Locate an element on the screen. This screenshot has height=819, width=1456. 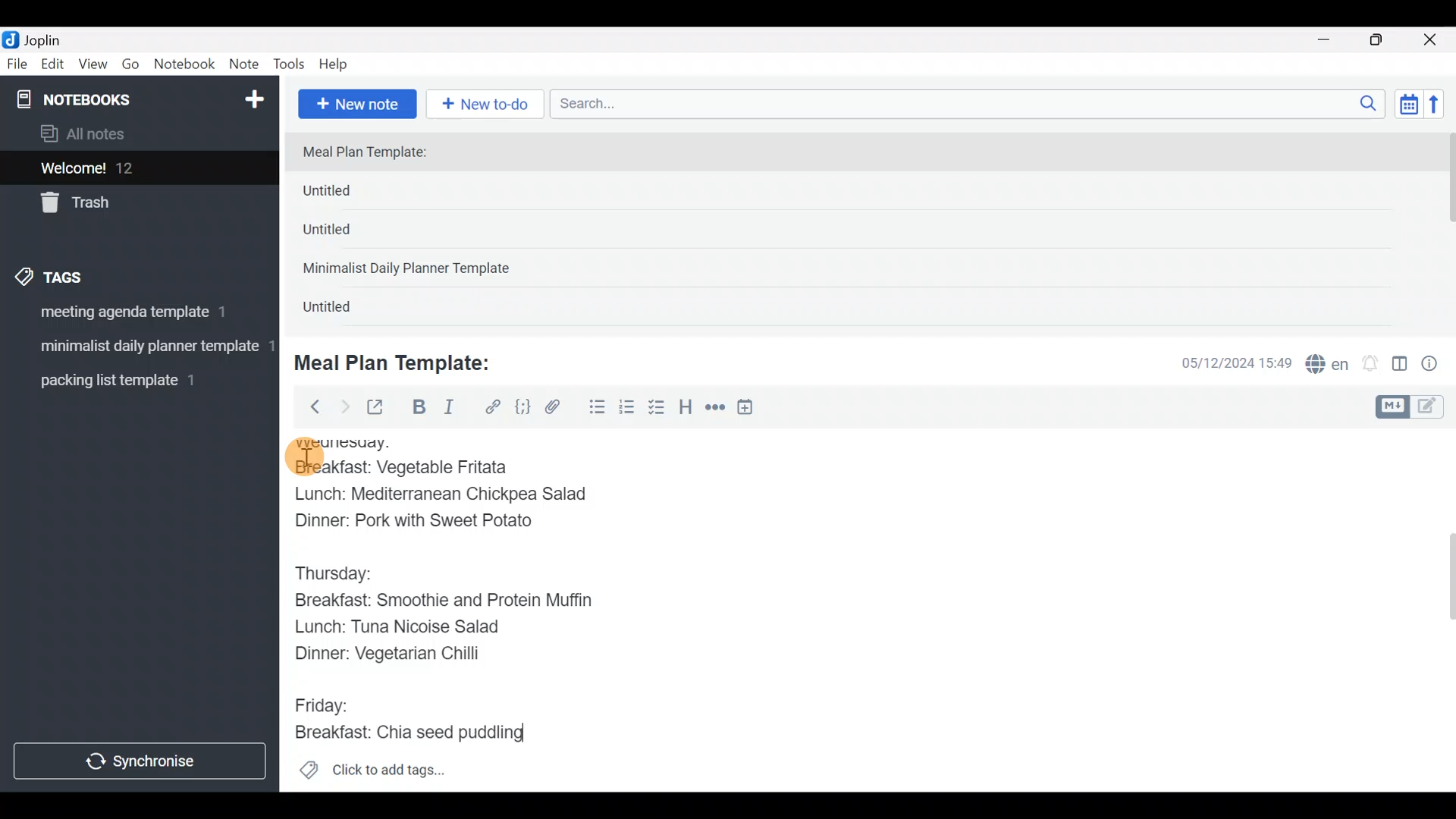
Trash is located at coordinates (130, 204).